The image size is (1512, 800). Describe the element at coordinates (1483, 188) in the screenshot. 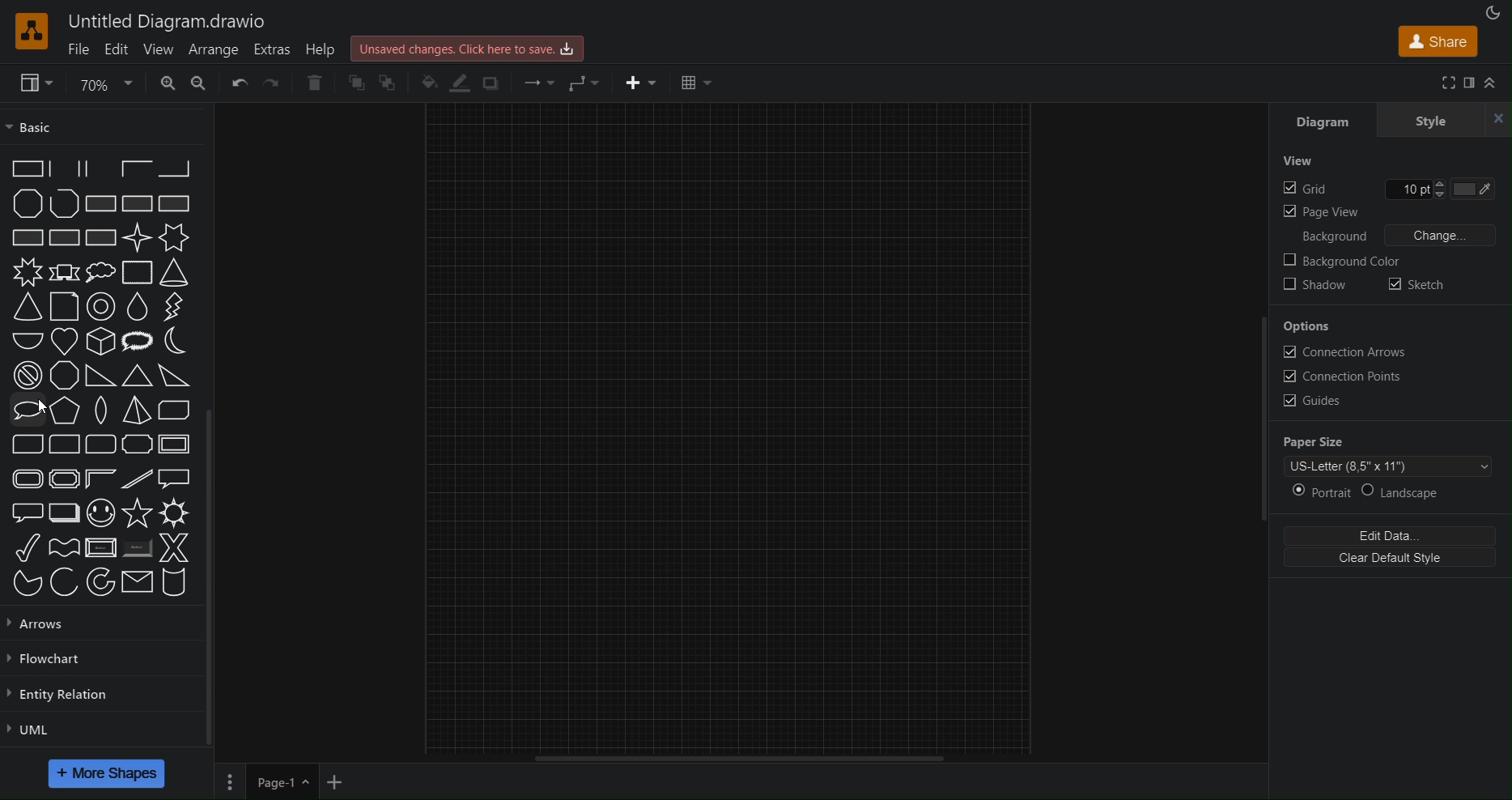

I see `Grid Color` at that location.